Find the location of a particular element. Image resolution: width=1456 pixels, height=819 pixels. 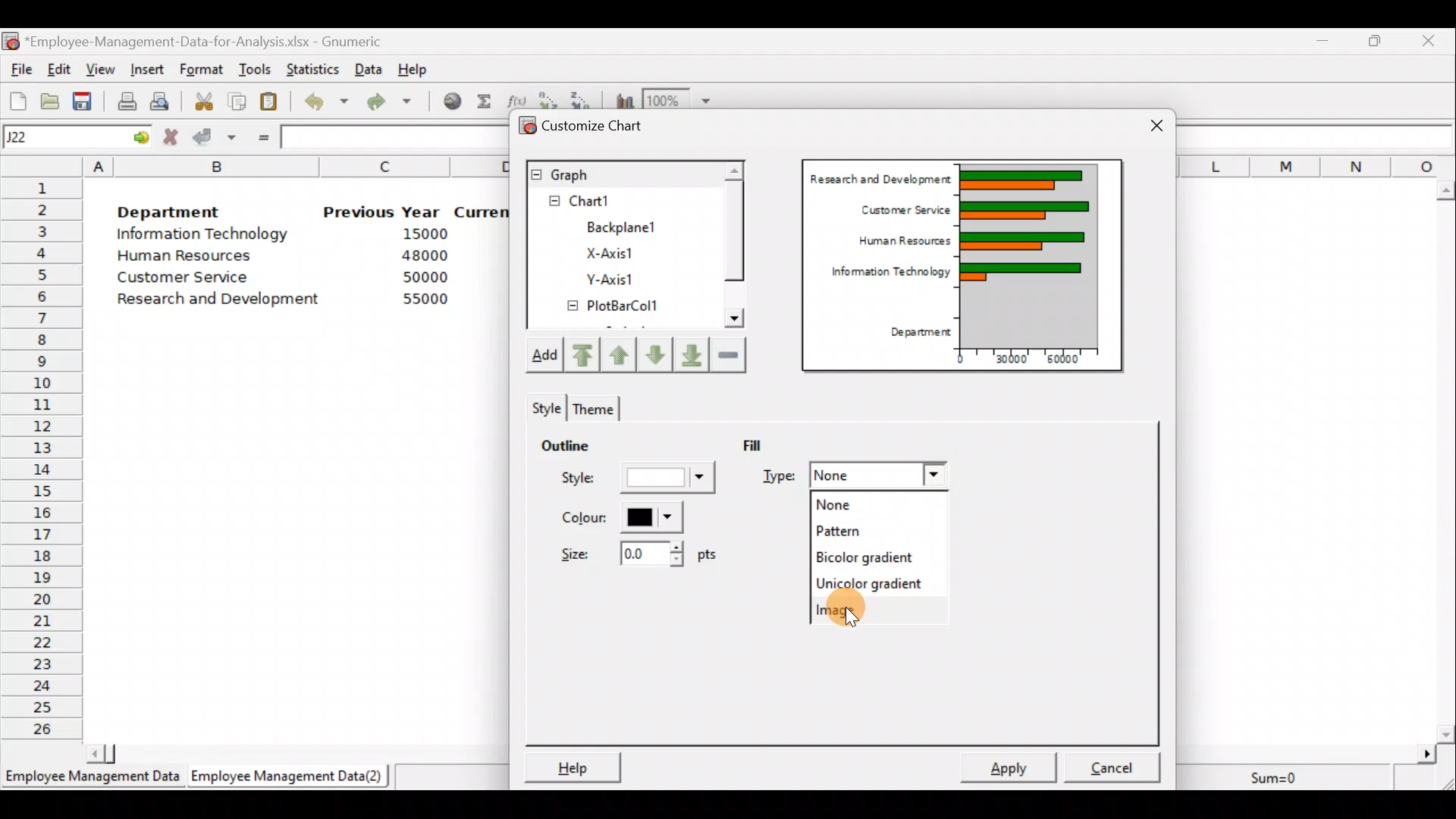

Human Resources is located at coordinates (196, 257).